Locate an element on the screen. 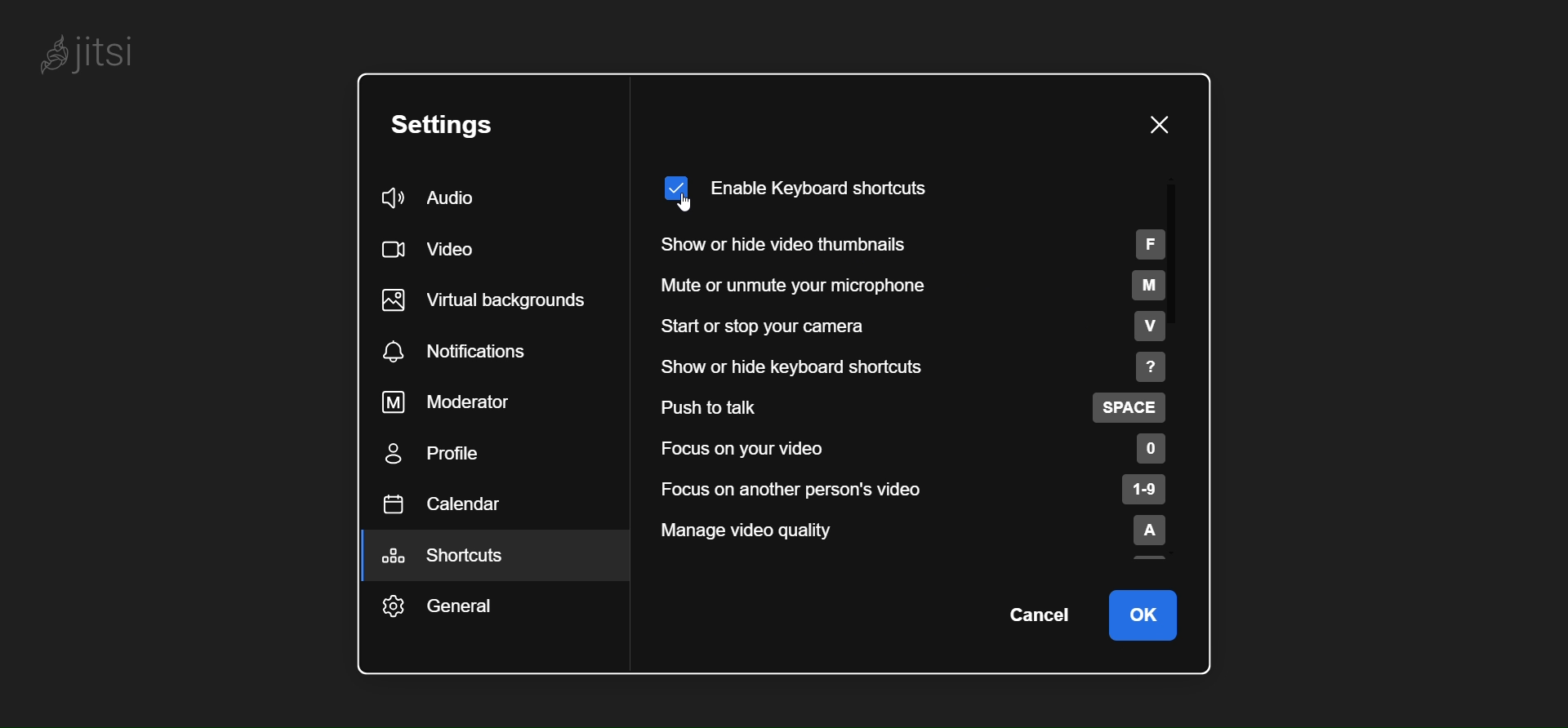  audio is located at coordinates (428, 193).